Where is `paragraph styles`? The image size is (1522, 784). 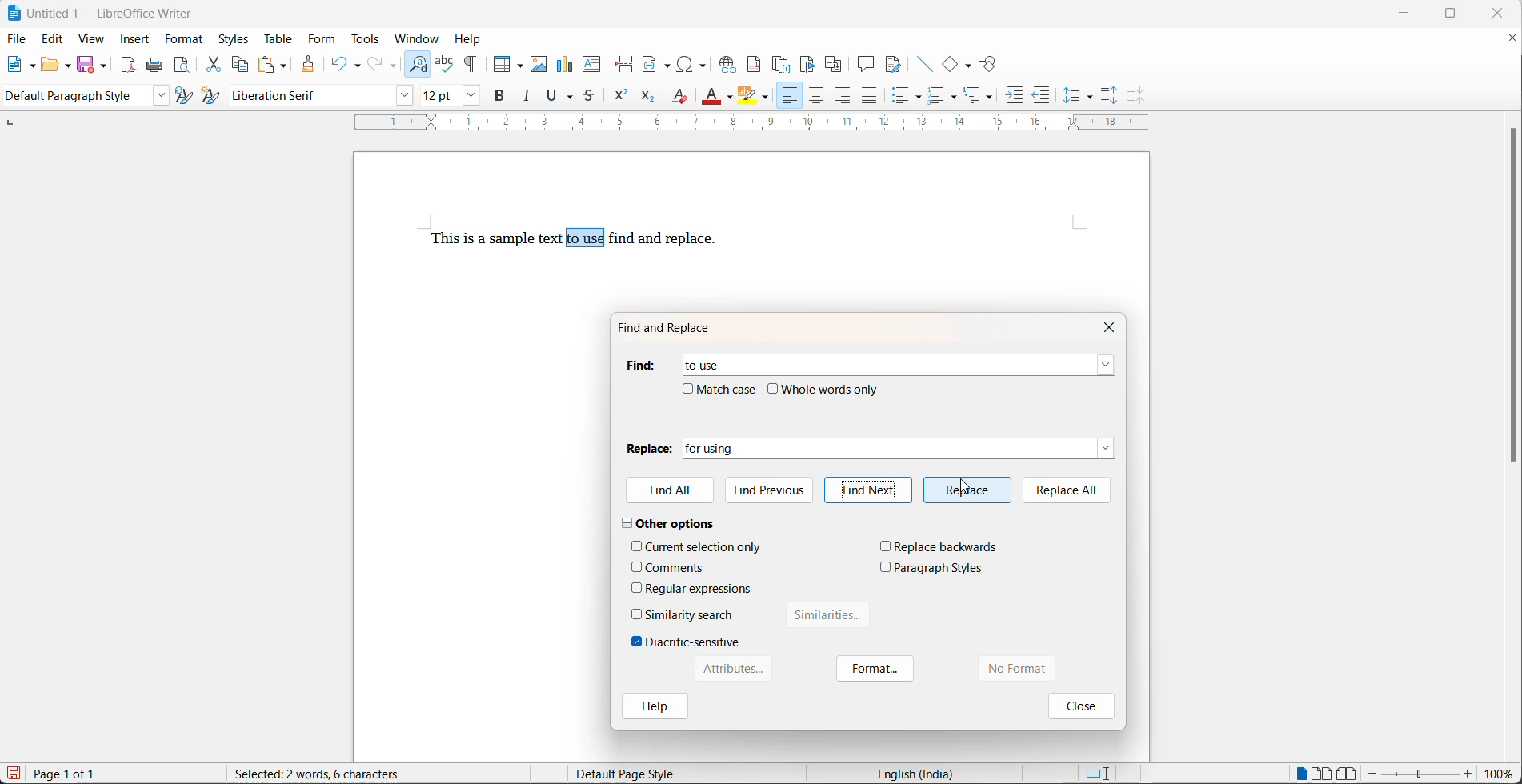 paragraph styles is located at coordinates (939, 568).